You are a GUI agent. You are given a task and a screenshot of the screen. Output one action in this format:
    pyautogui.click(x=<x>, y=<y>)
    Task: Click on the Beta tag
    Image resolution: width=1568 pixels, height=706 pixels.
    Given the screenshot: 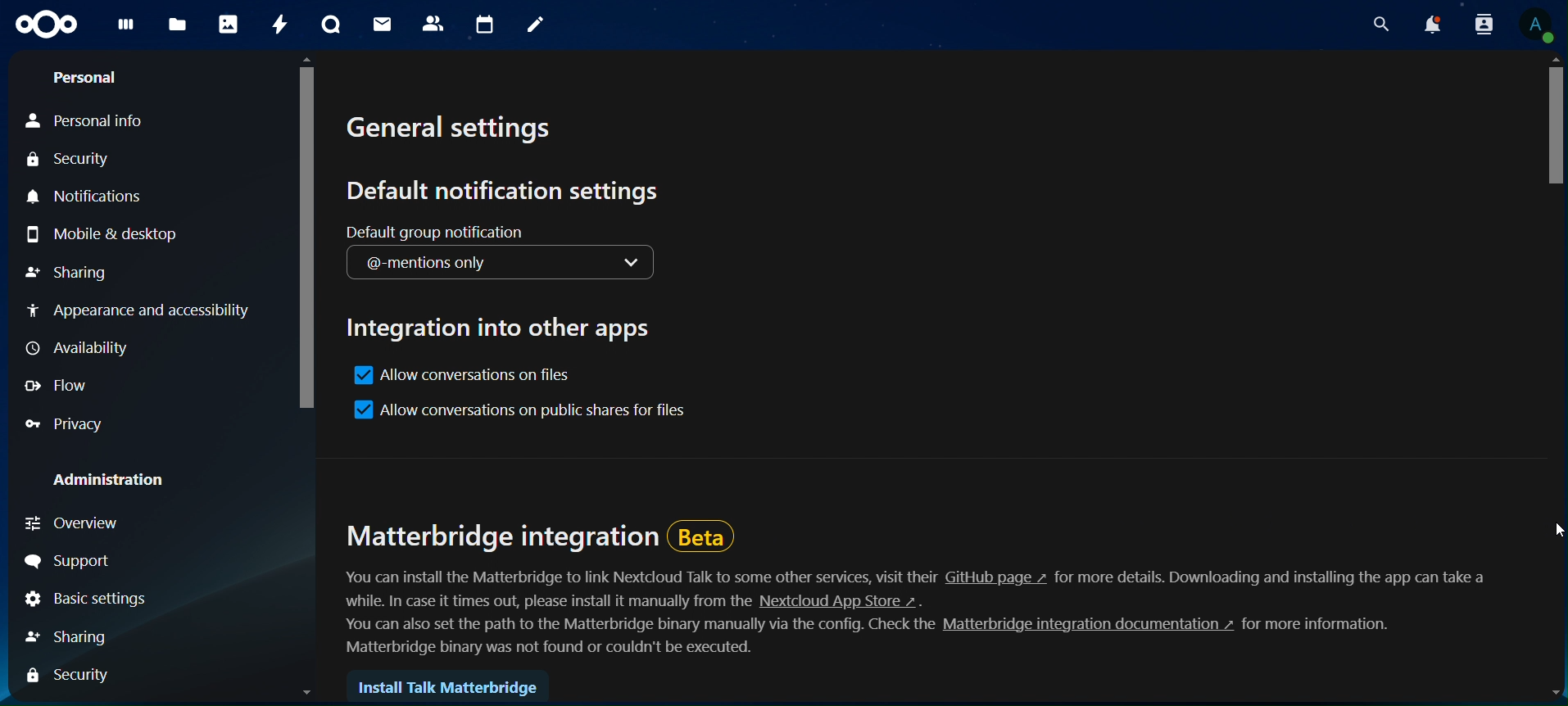 What is the action you would take?
    pyautogui.click(x=707, y=538)
    